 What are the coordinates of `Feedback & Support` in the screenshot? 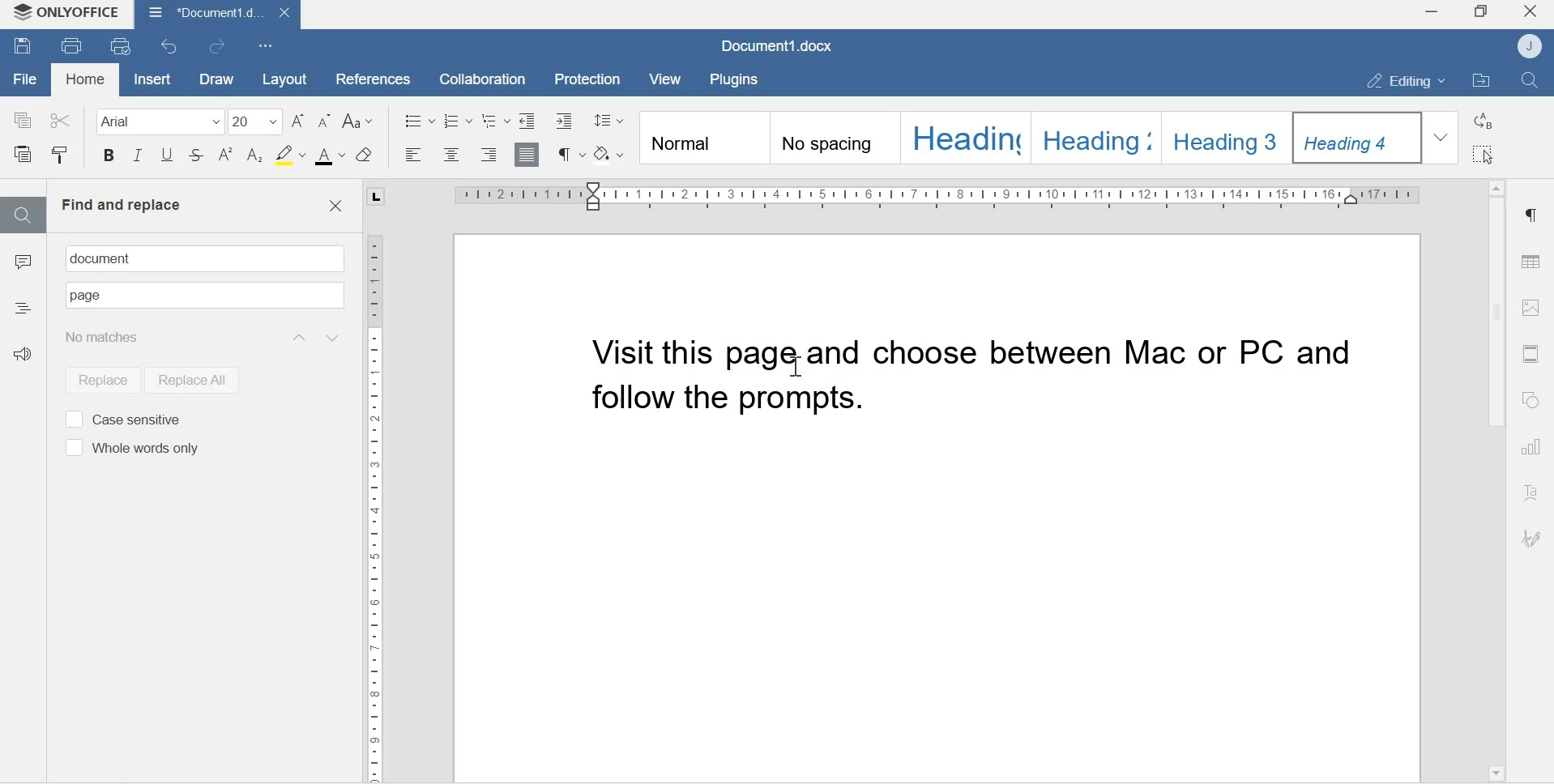 It's located at (27, 360).